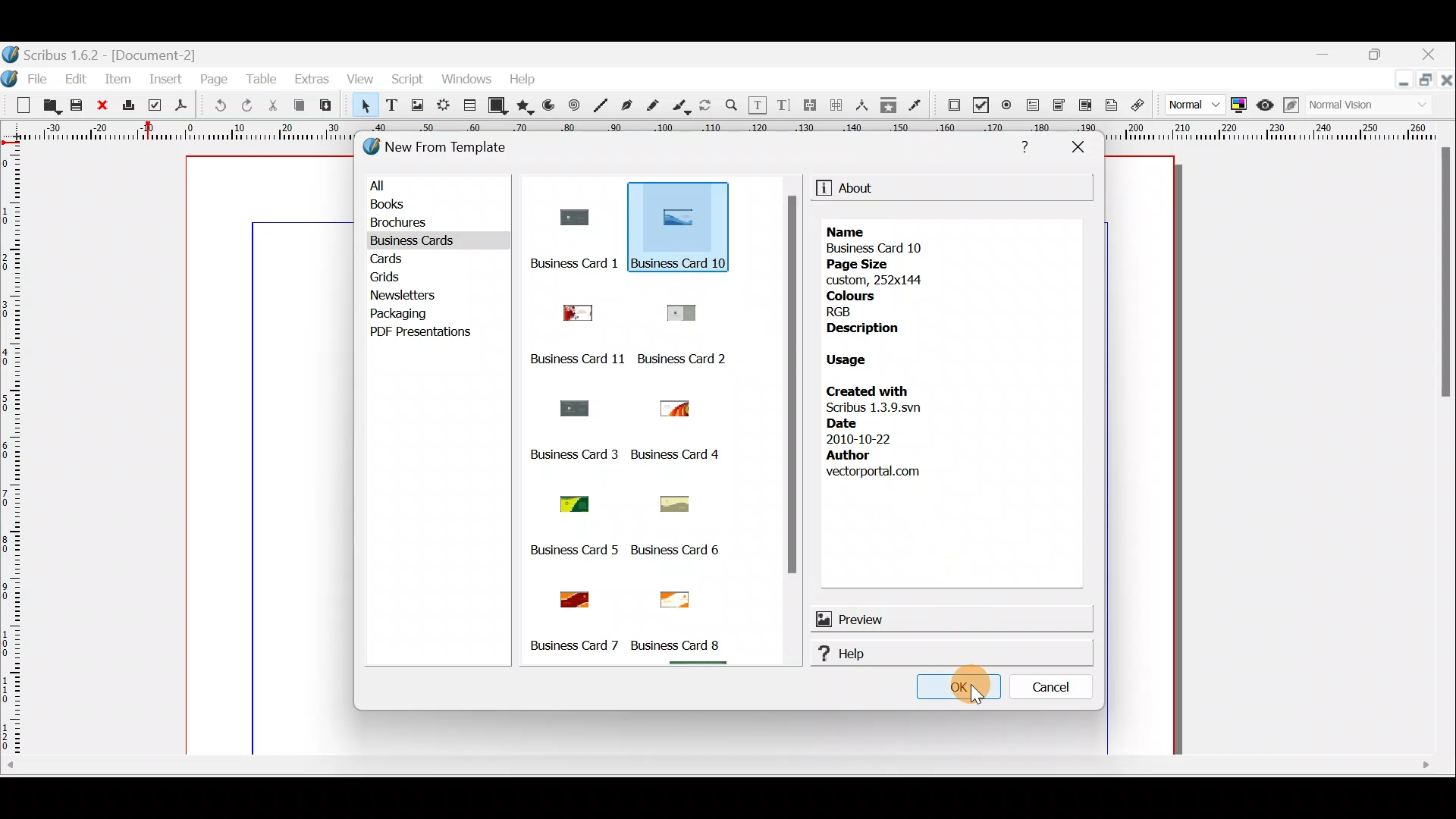  Describe the element at coordinates (408, 314) in the screenshot. I see `Packaging` at that location.